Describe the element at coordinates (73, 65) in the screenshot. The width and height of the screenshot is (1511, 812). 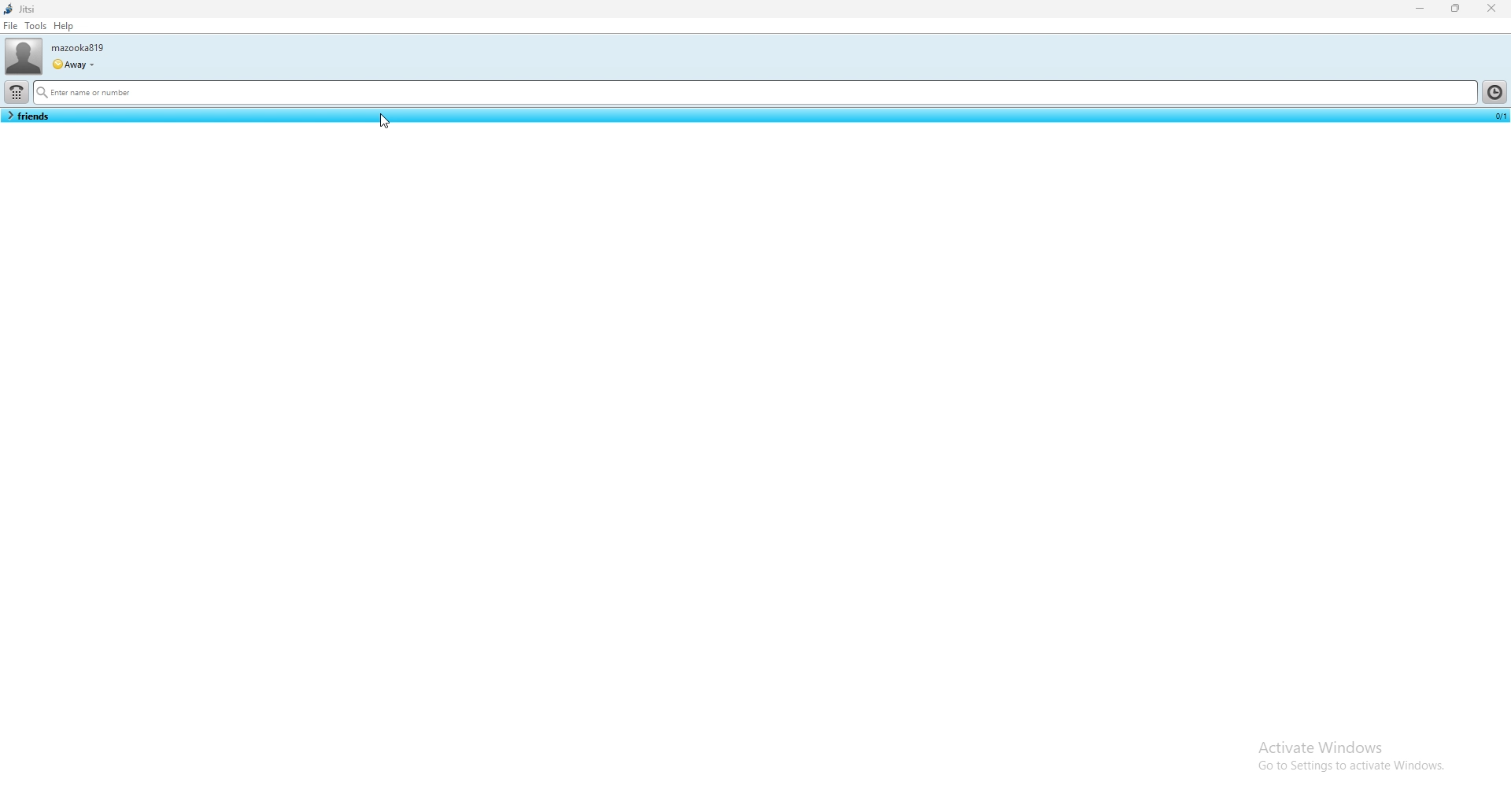
I see `user status` at that location.